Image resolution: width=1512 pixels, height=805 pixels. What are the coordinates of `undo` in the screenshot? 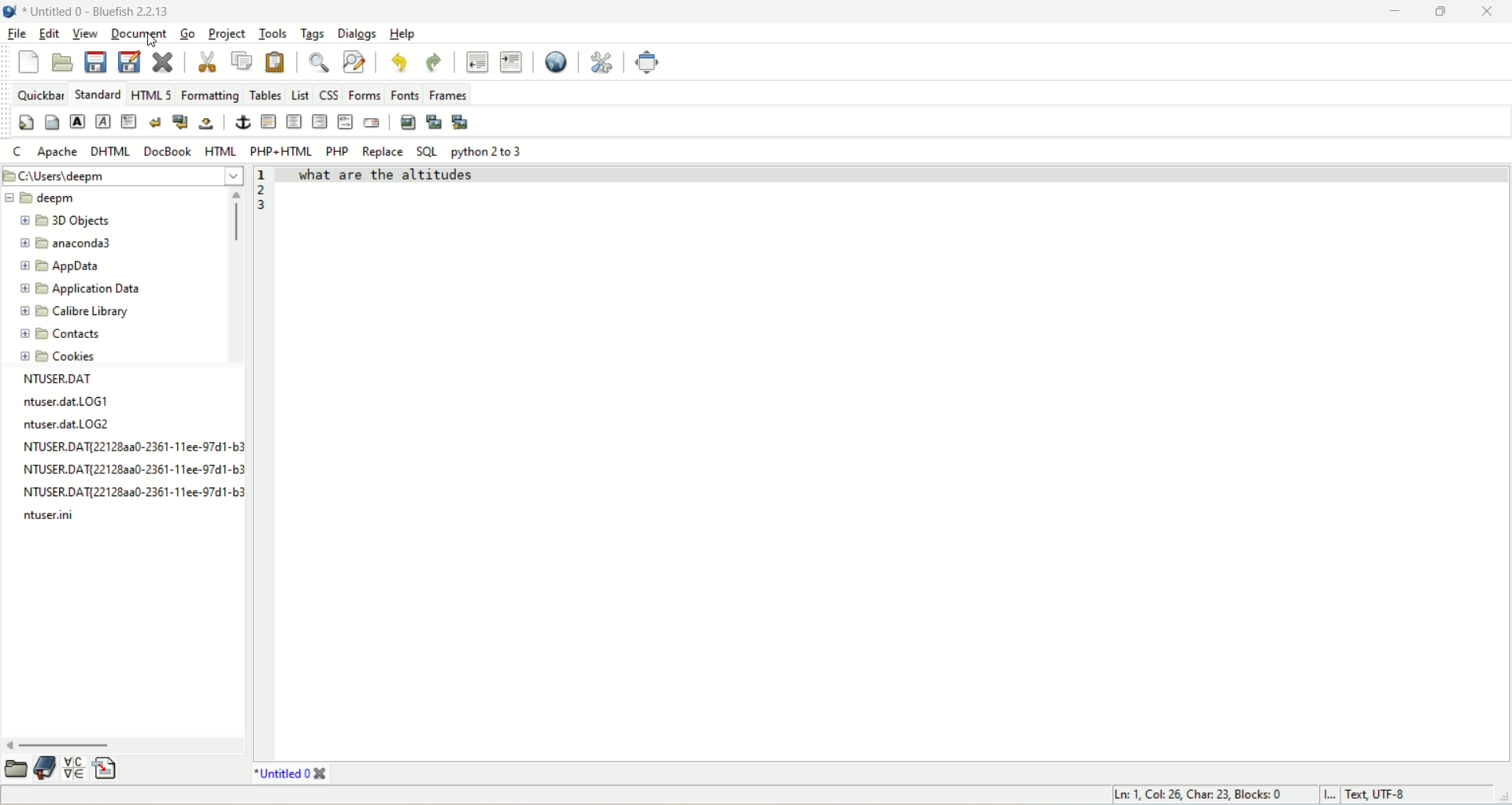 It's located at (398, 63).